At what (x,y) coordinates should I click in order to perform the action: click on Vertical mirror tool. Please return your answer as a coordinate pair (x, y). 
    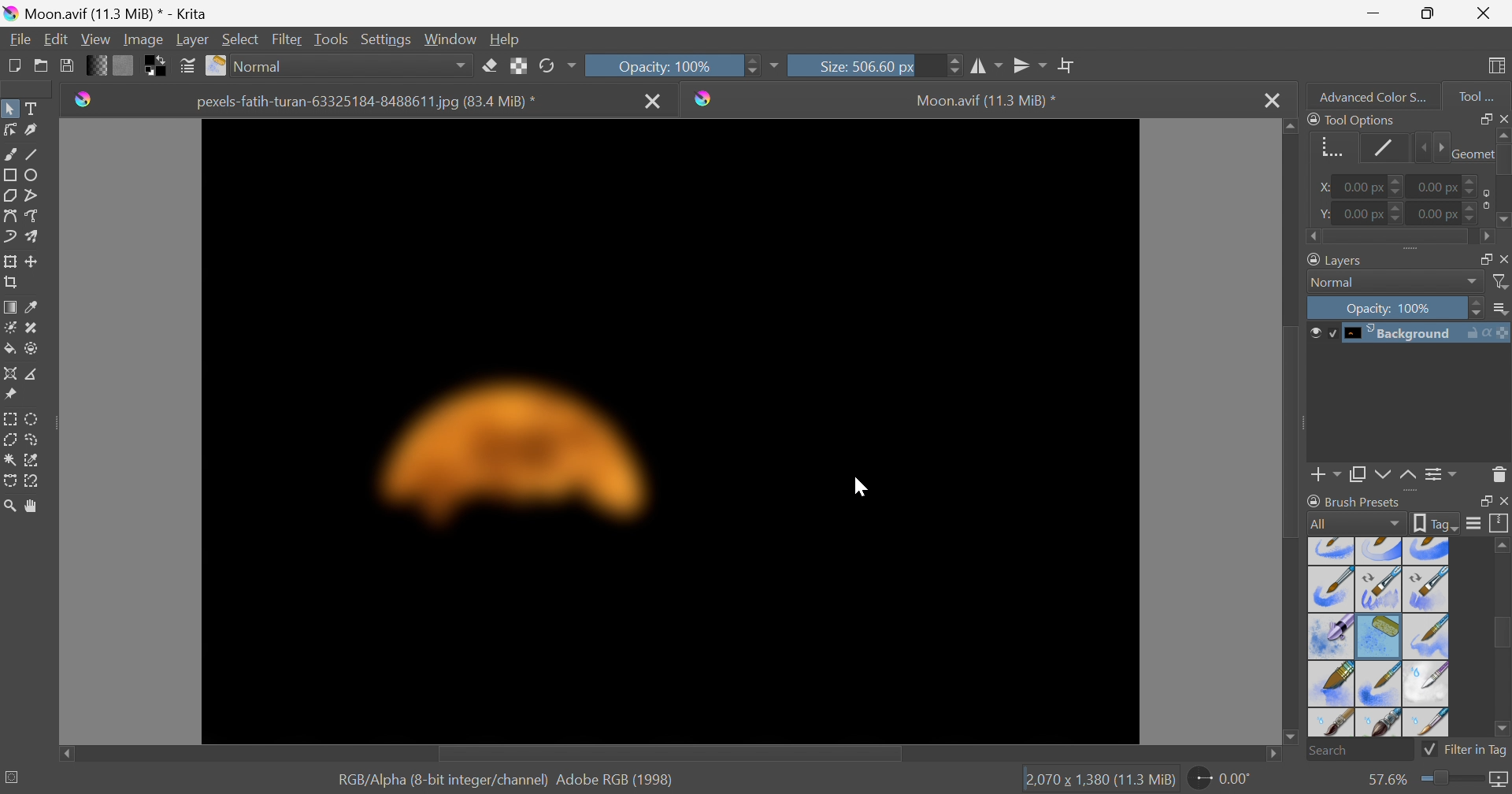
    Looking at the image, I should click on (1030, 65).